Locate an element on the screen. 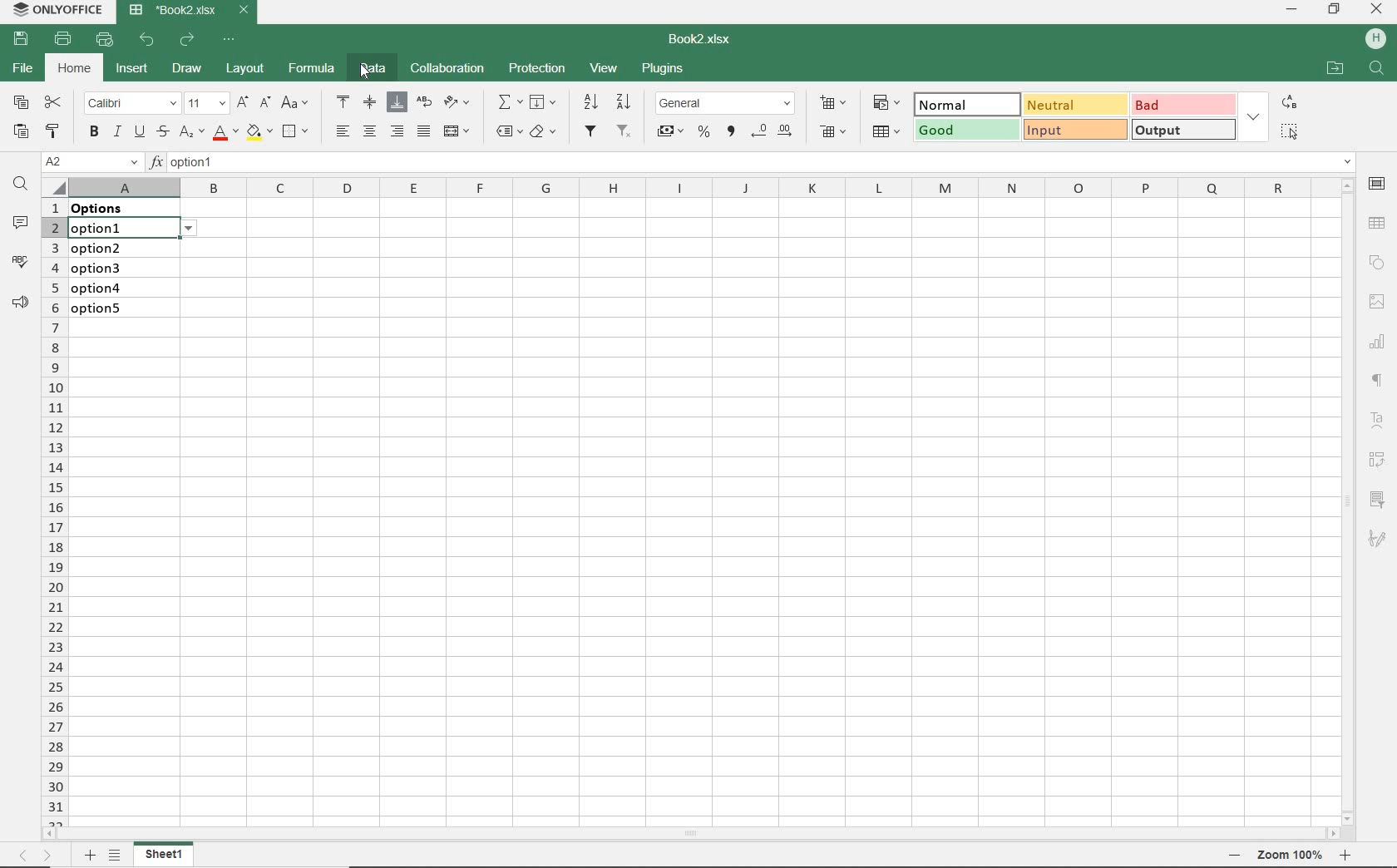 Image resolution: width=1397 pixels, height=868 pixels. data validation: Lists on these cells is located at coordinates (133, 280).